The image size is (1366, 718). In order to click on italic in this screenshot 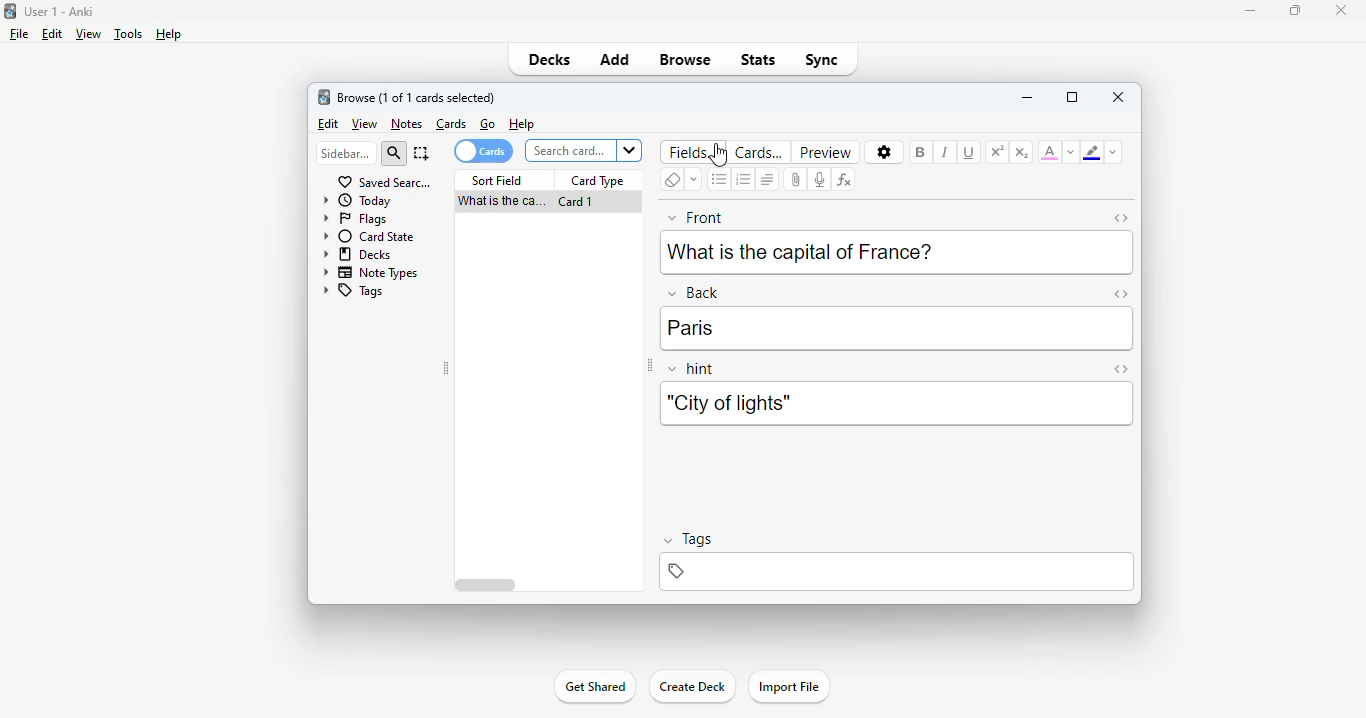, I will do `click(944, 152)`.